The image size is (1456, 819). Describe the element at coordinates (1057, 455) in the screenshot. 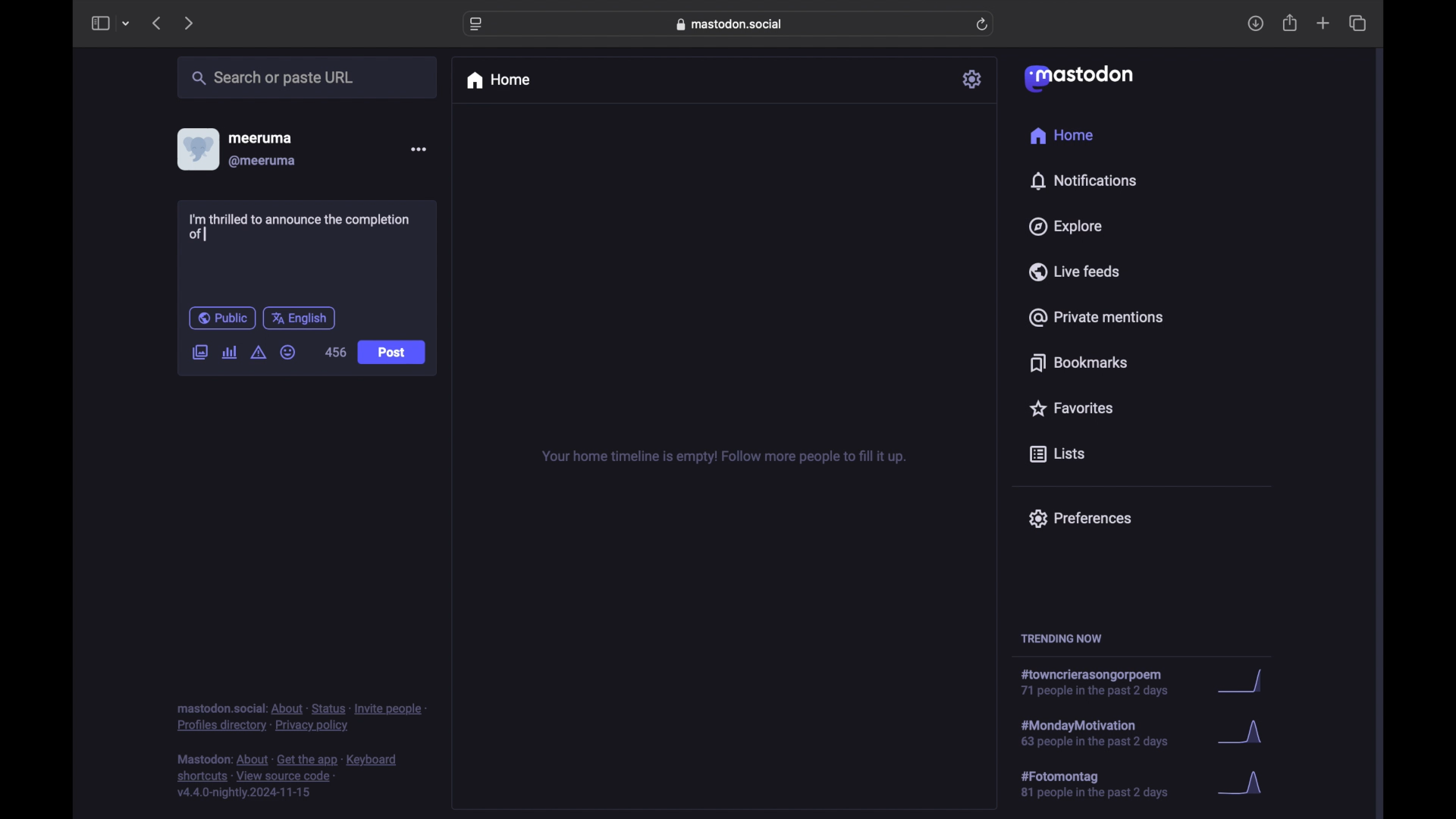

I see `lists` at that location.